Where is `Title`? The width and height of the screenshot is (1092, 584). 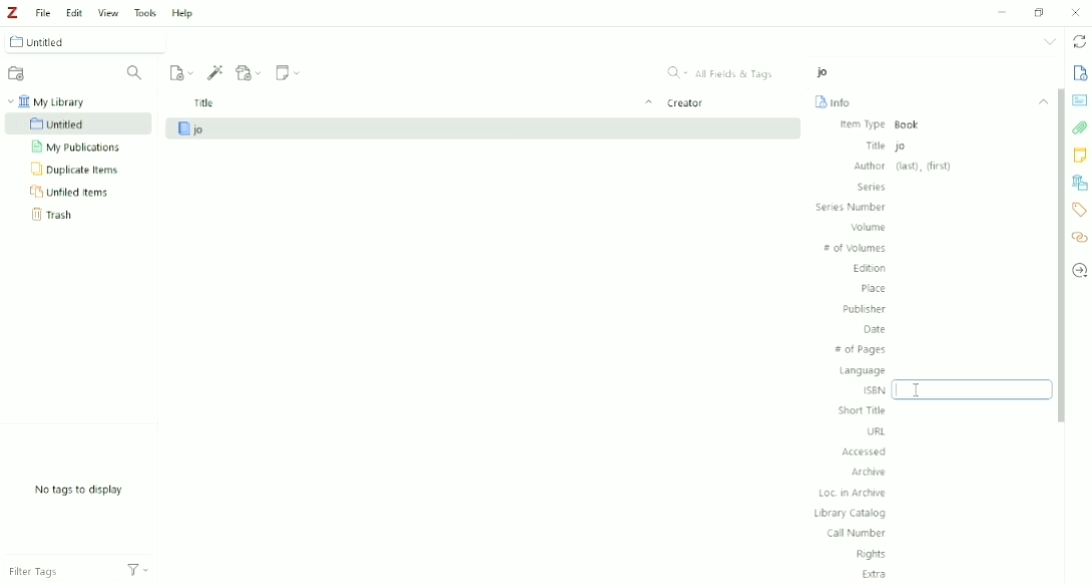
Title is located at coordinates (420, 103).